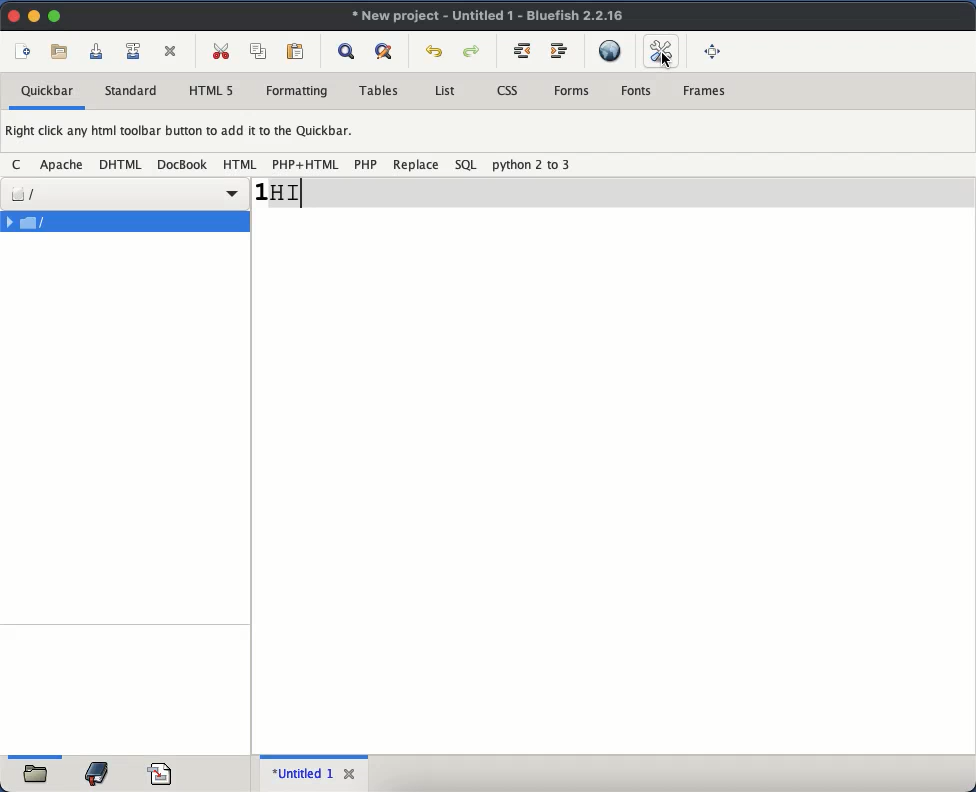 This screenshot has width=976, height=792. Describe the element at coordinates (131, 91) in the screenshot. I see `standard` at that location.